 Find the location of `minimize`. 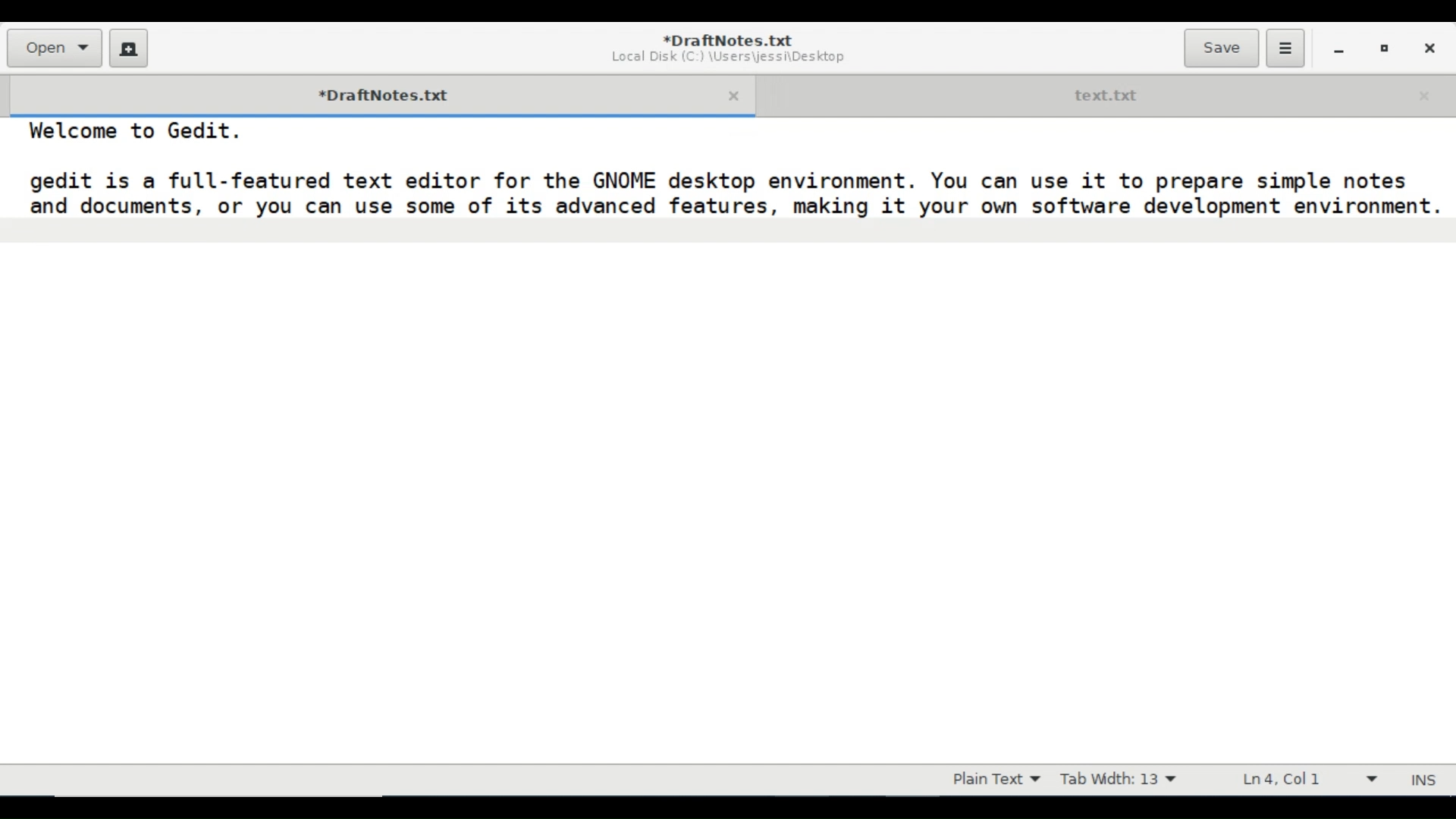

minimize is located at coordinates (1338, 48).